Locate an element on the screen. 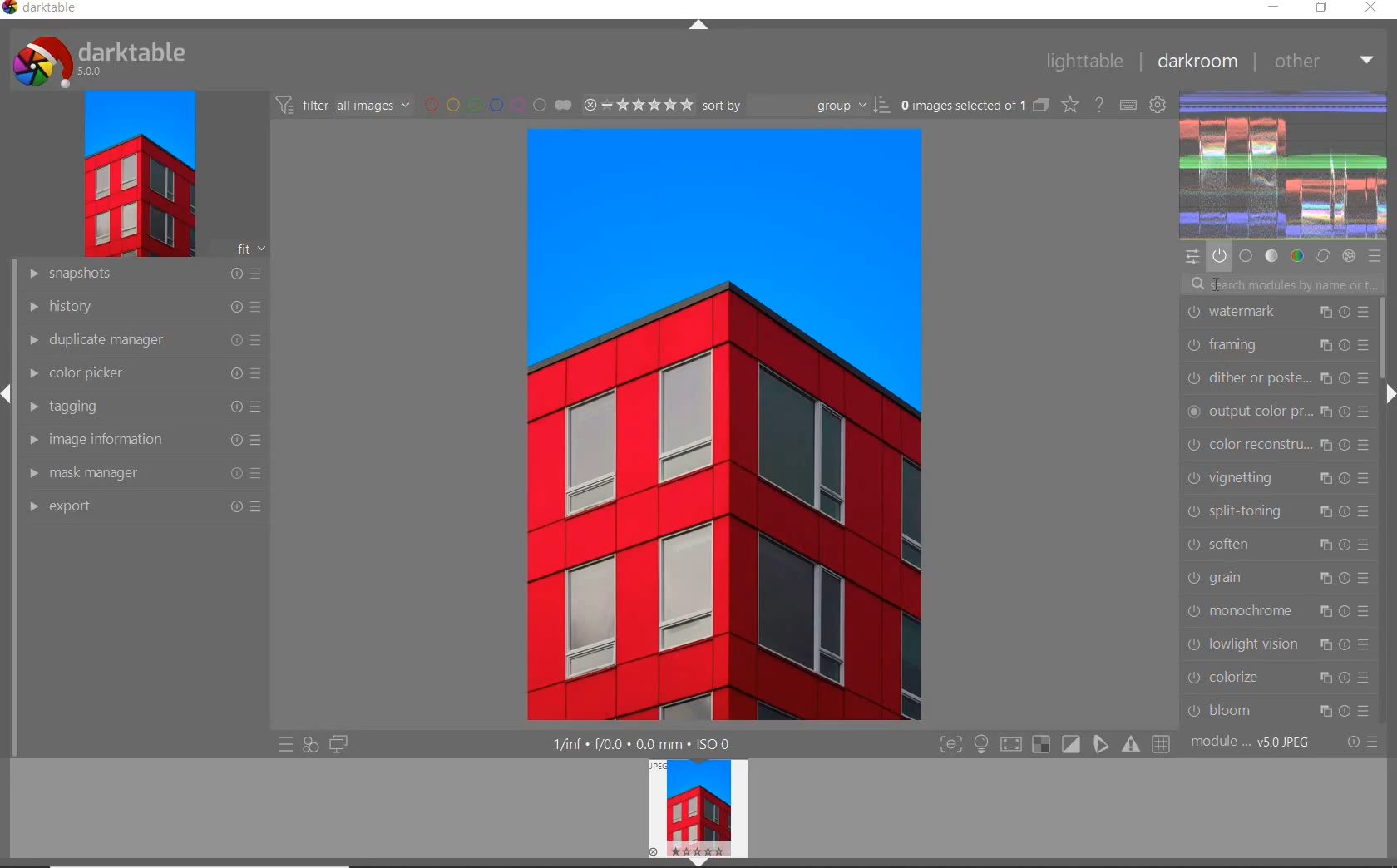 The height and width of the screenshot is (868, 1397). selected images is located at coordinates (974, 106).